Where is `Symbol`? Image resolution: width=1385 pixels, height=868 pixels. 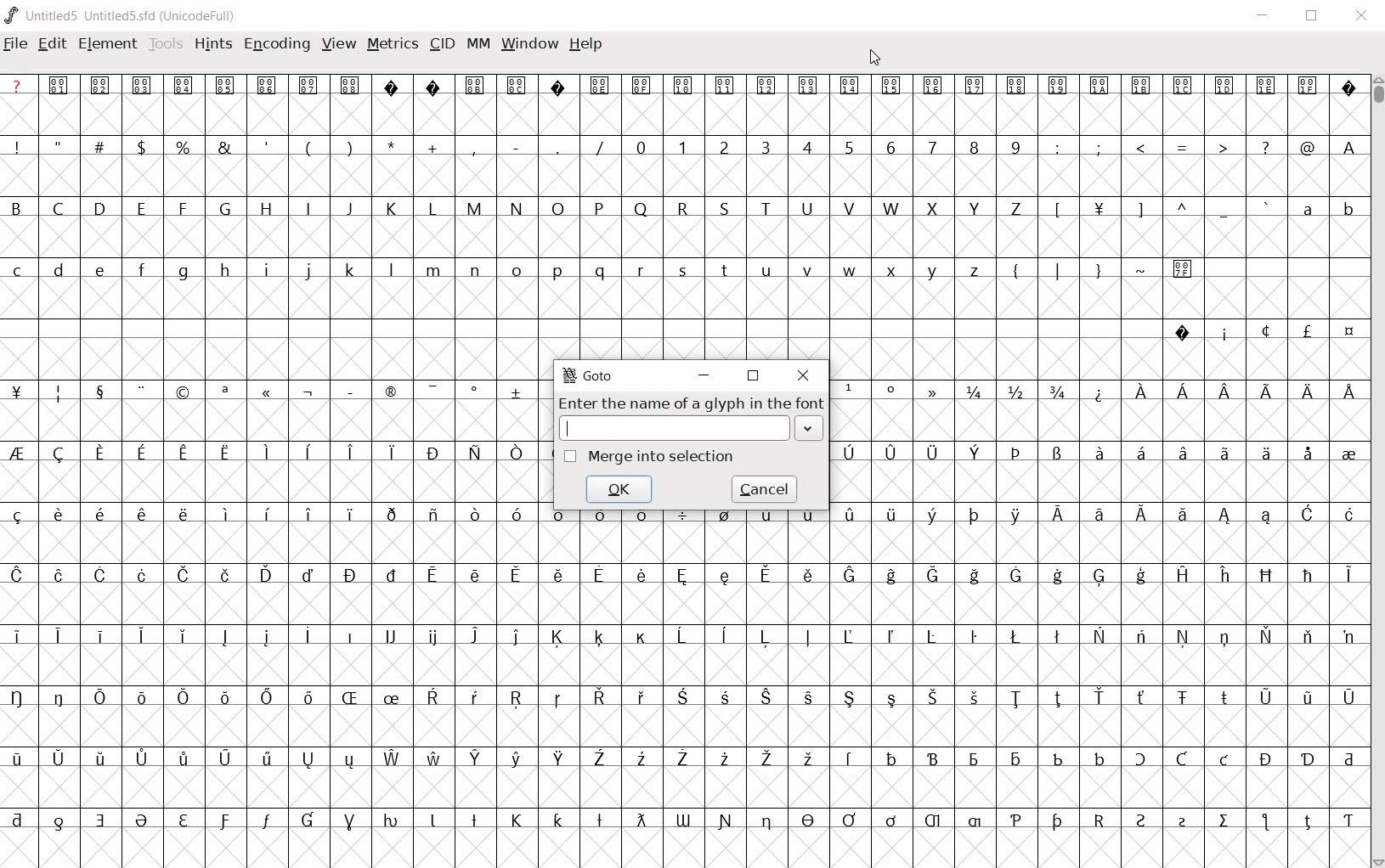
Symbol is located at coordinates (556, 577).